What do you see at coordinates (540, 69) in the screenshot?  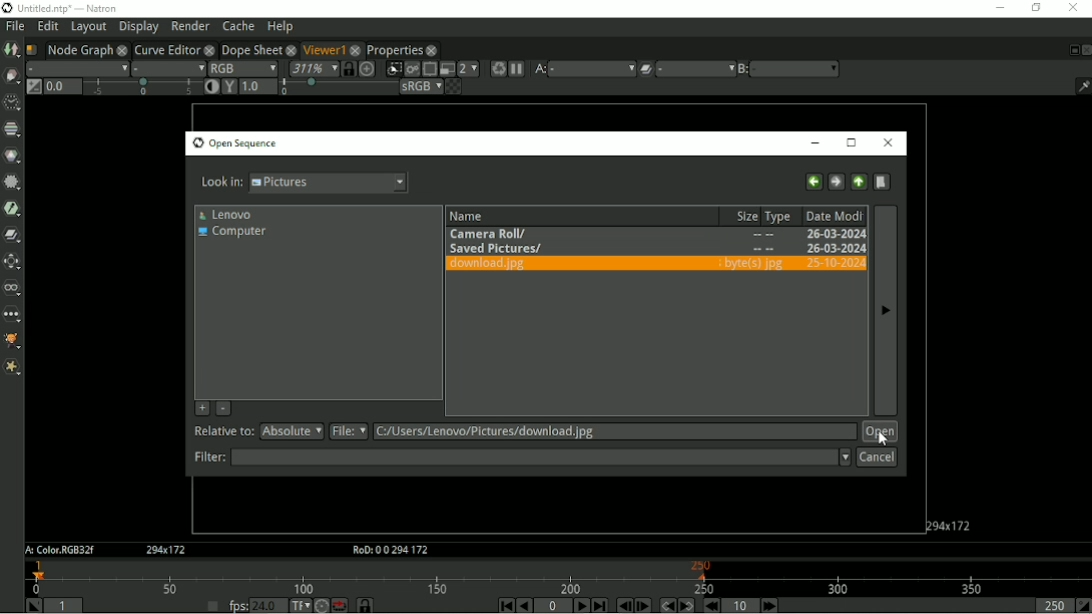 I see `A` at bounding box center [540, 69].